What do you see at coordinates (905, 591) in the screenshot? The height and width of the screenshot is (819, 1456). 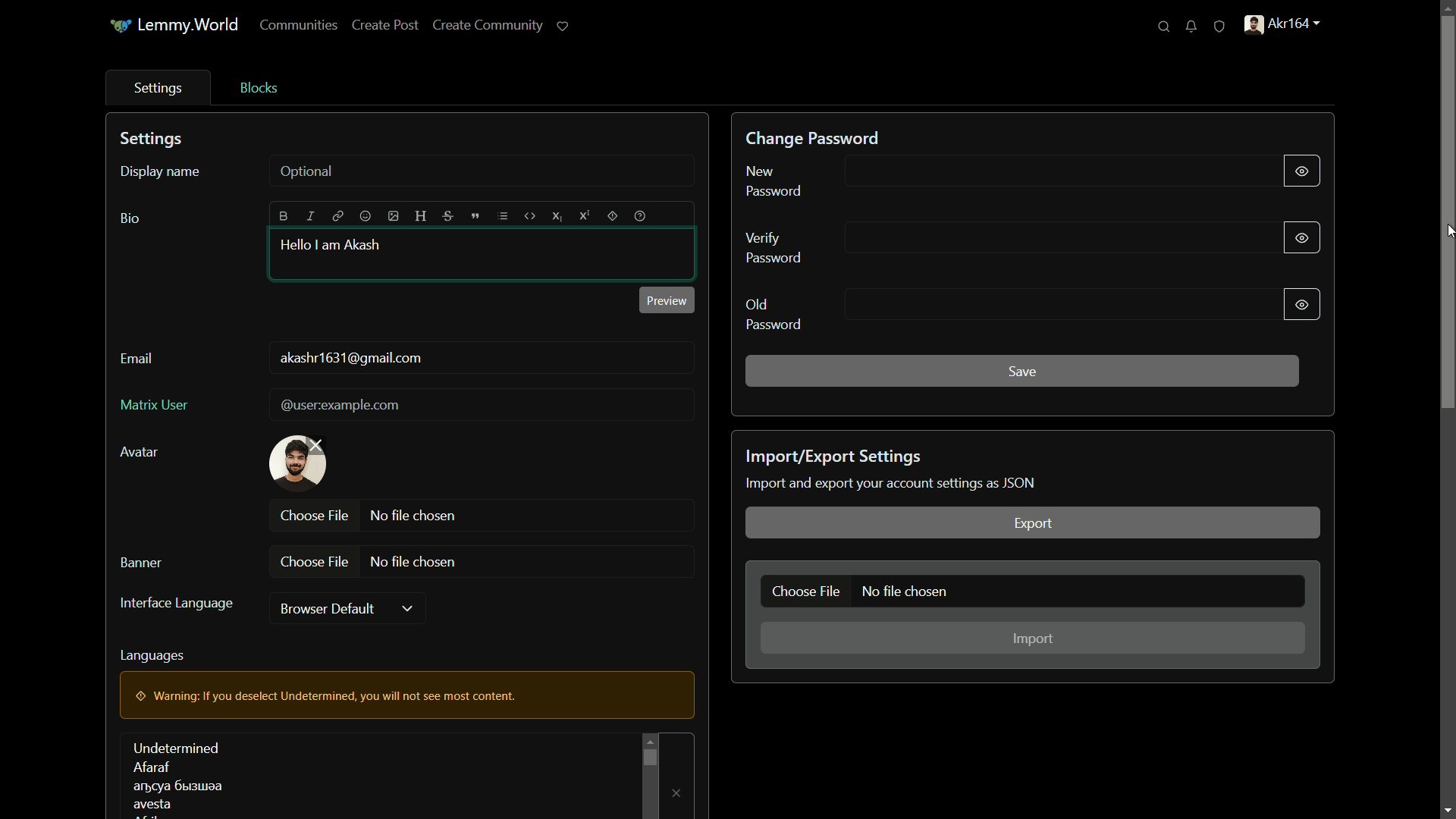 I see `no file chosen` at bounding box center [905, 591].